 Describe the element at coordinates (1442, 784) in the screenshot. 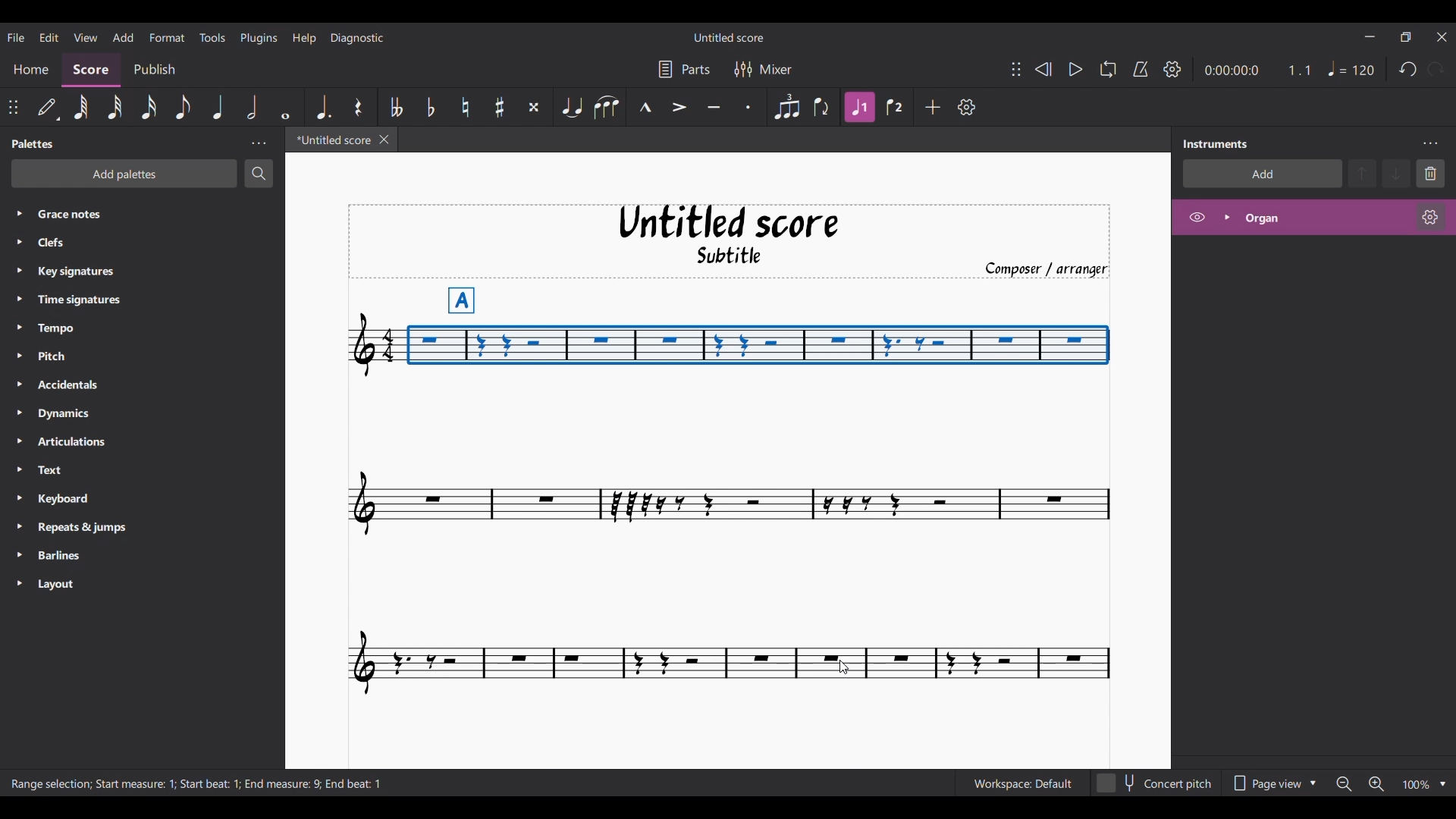

I see `Zoom options` at that location.